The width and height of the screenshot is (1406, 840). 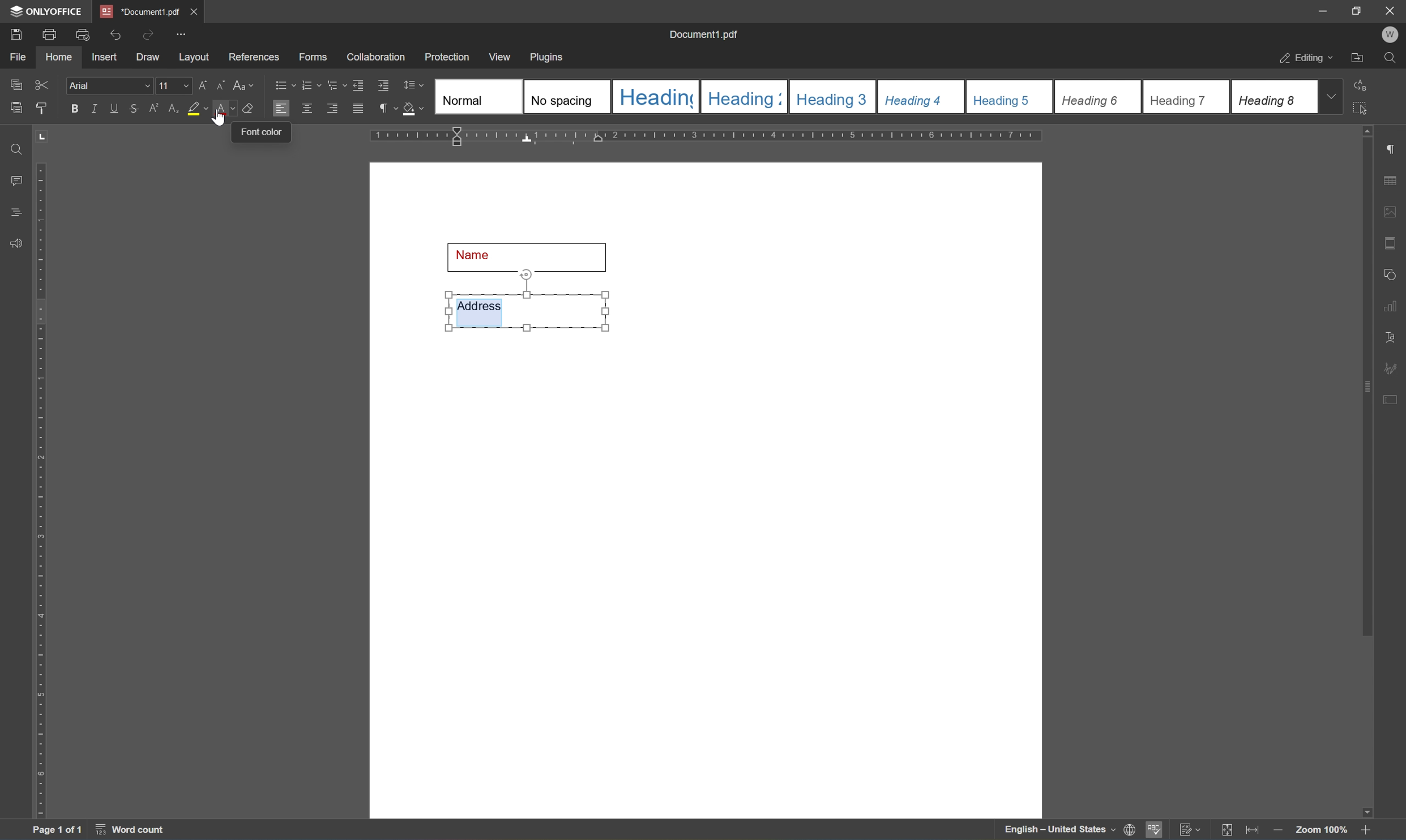 What do you see at coordinates (149, 58) in the screenshot?
I see `draw` at bounding box center [149, 58].